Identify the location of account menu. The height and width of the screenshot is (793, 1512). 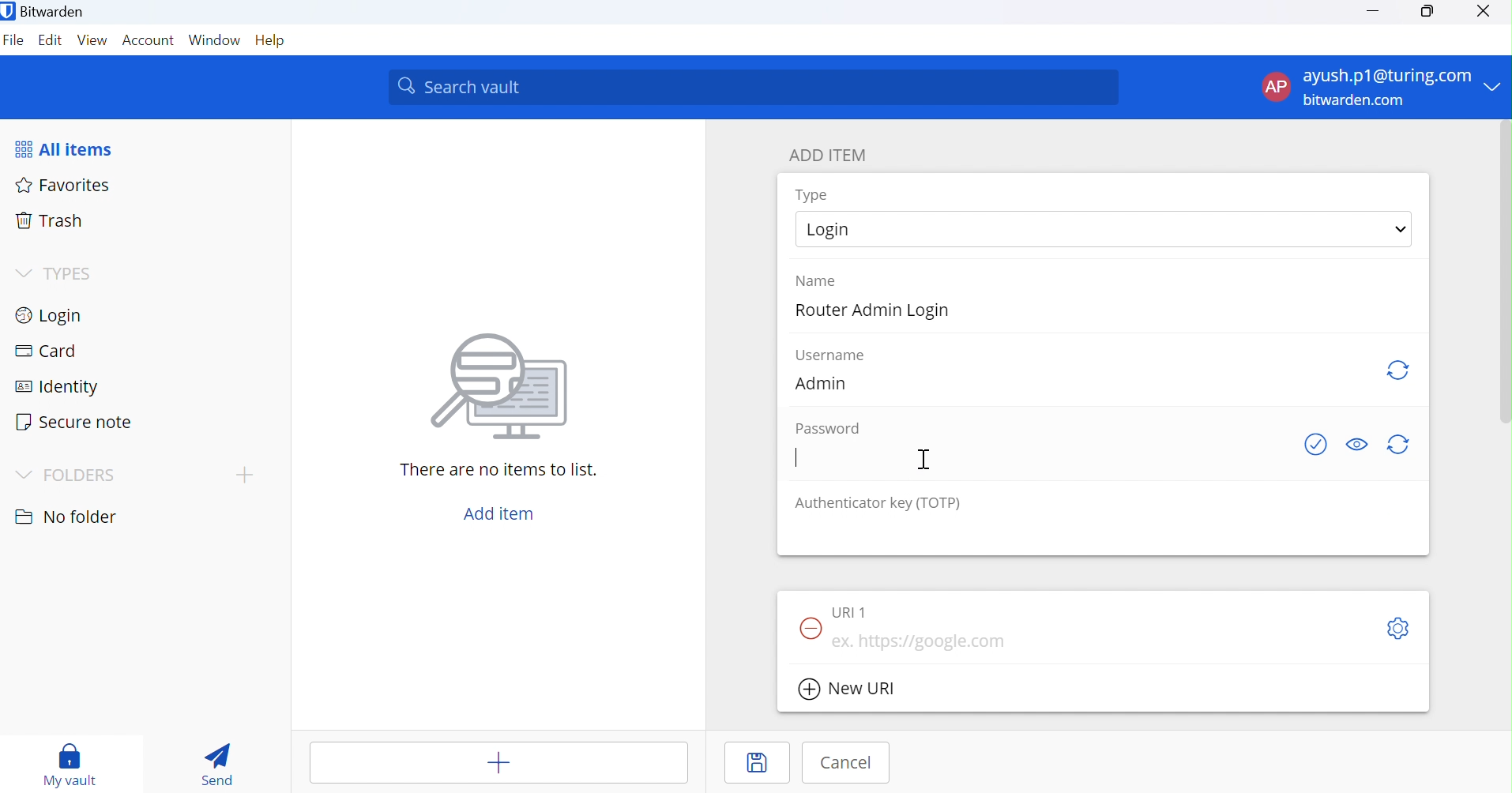
(1380, 88).